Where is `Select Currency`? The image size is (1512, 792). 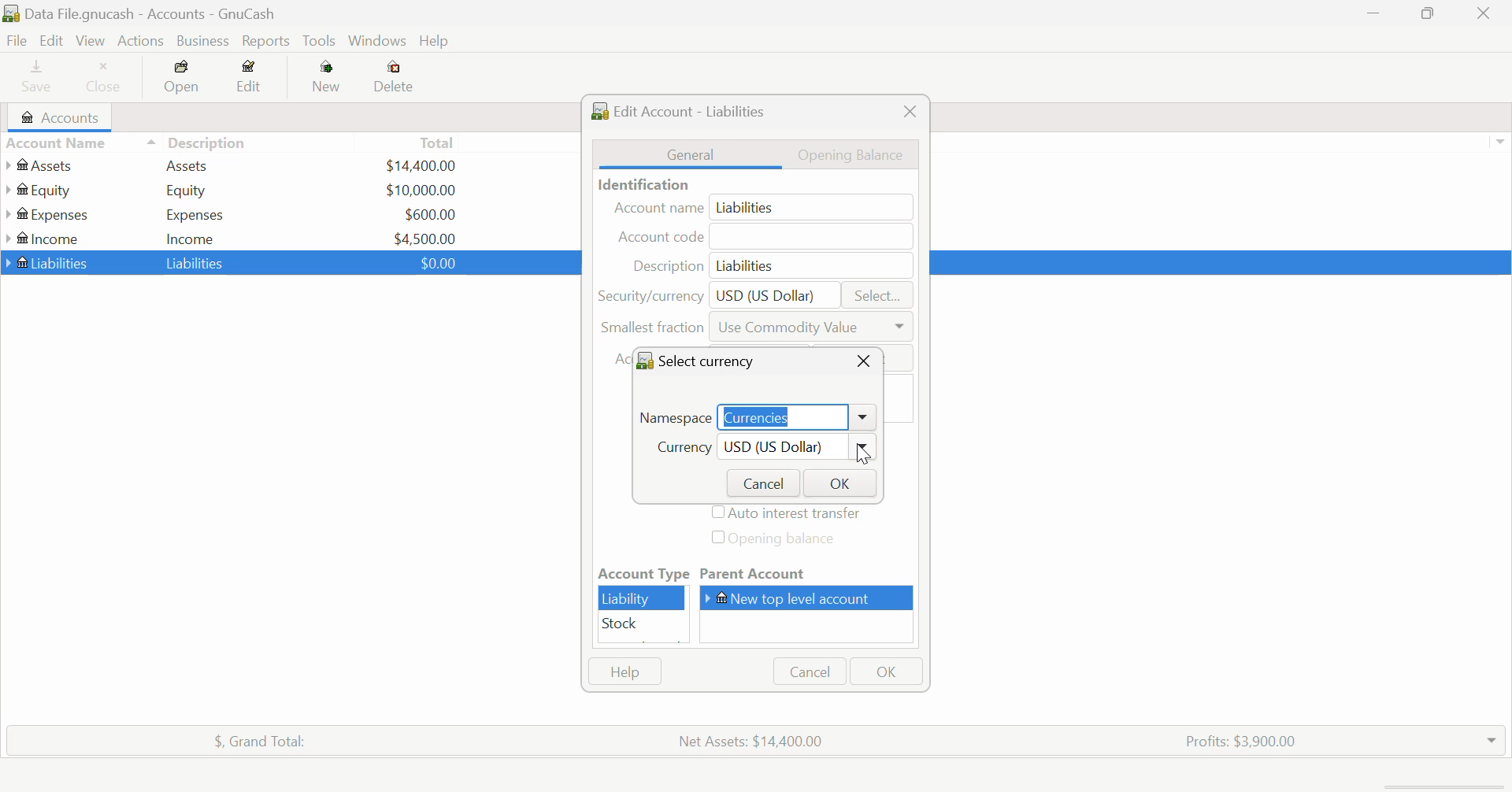 Select Currency is located at coordinates (704, 360).